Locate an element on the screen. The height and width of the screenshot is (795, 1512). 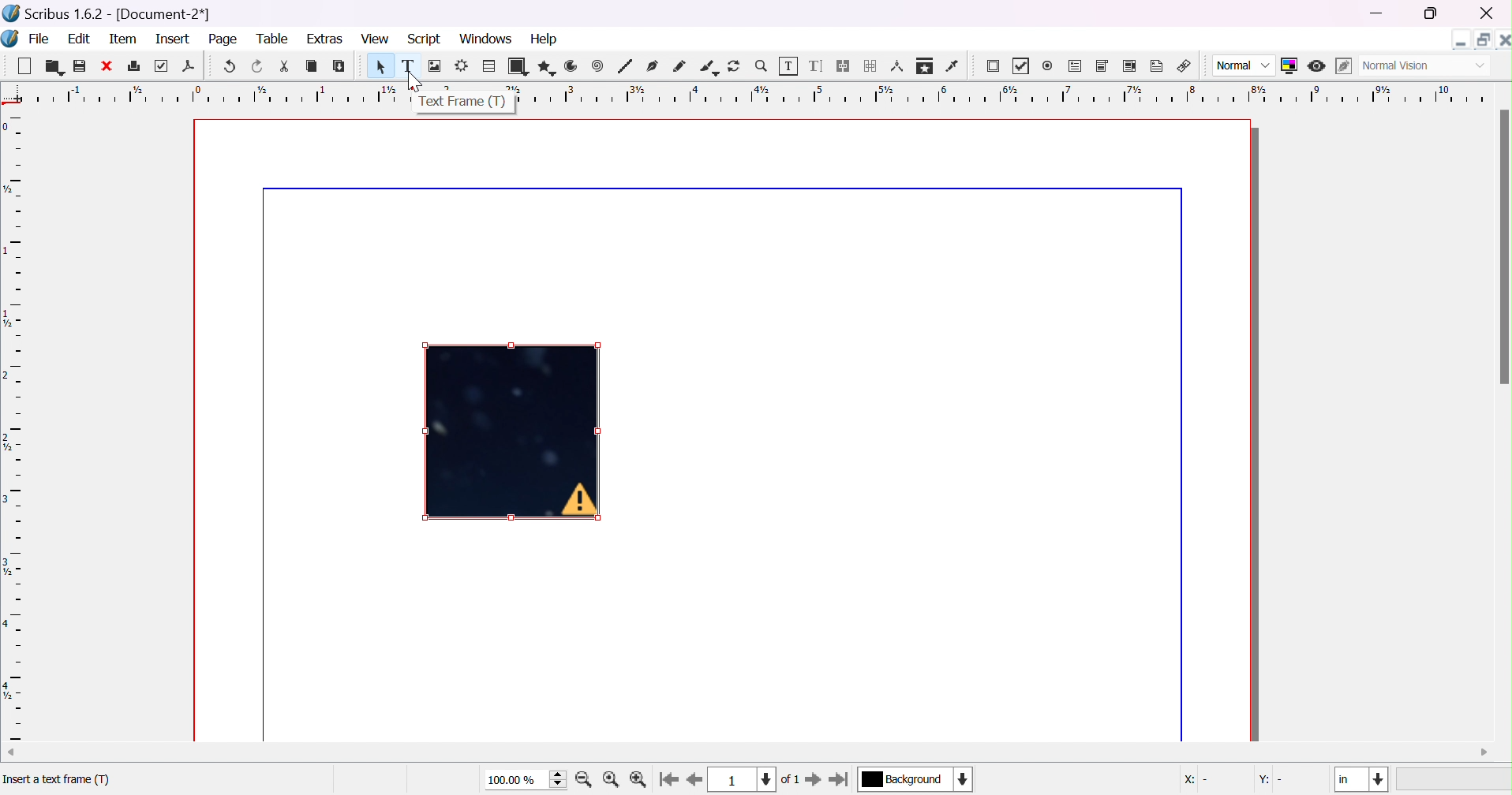
undo is located at coordinates (232, 67).